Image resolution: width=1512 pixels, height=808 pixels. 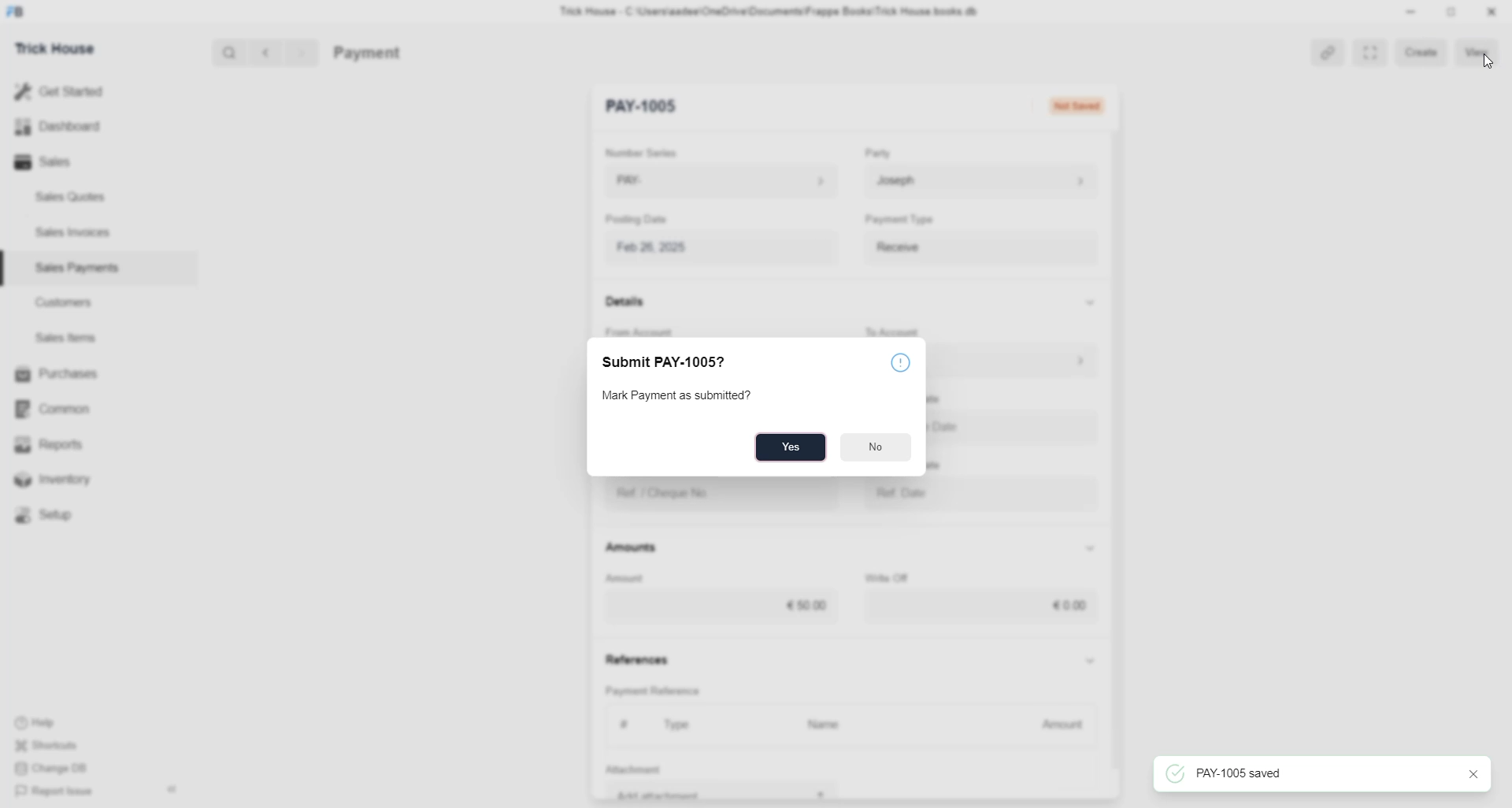 What do you see at coordinates (627, 301) in the screenshot?
I see `Details` at bounding box center [627, 301].